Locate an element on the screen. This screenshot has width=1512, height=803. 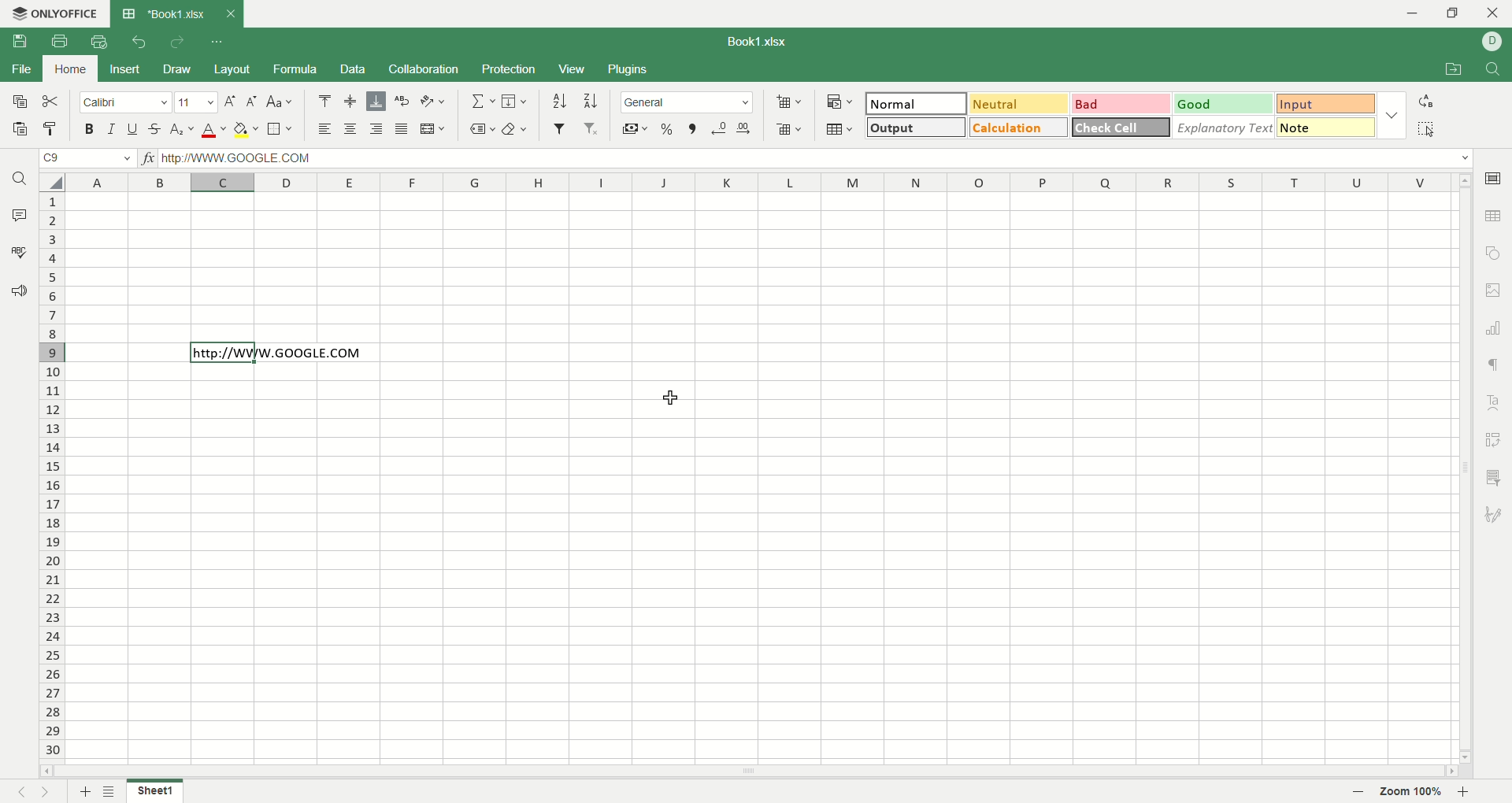
underline is located at coordinates (132, 129).